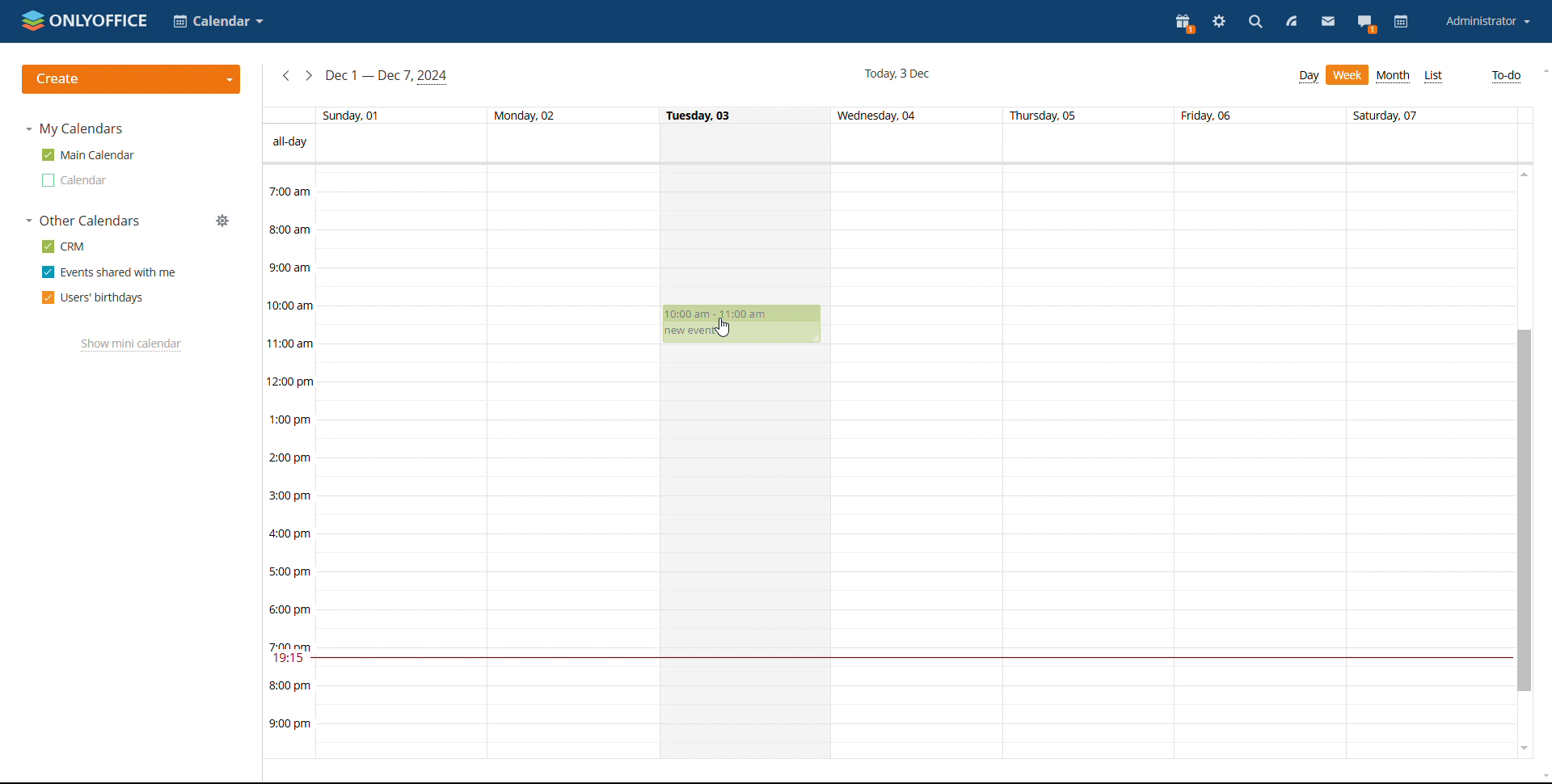 The height and width of the screenshot is (784, 1552). What do you see at coordinates (219, 21) in the screenshot?
I see `Calendar` at bounding box center [219, 21].